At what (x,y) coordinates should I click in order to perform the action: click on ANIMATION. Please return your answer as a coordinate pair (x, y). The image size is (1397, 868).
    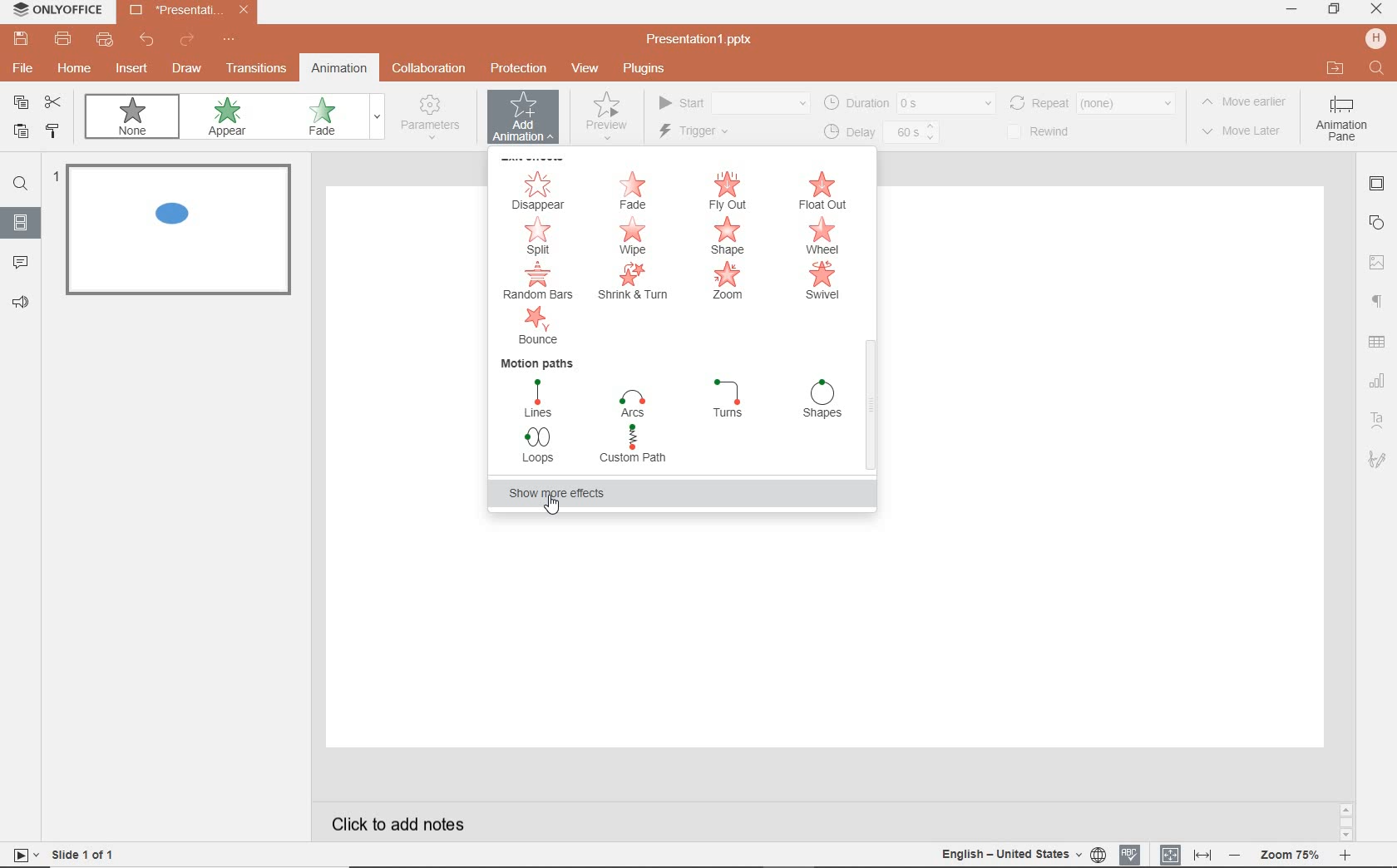
    Looking at the image, I should click on (523, 121).